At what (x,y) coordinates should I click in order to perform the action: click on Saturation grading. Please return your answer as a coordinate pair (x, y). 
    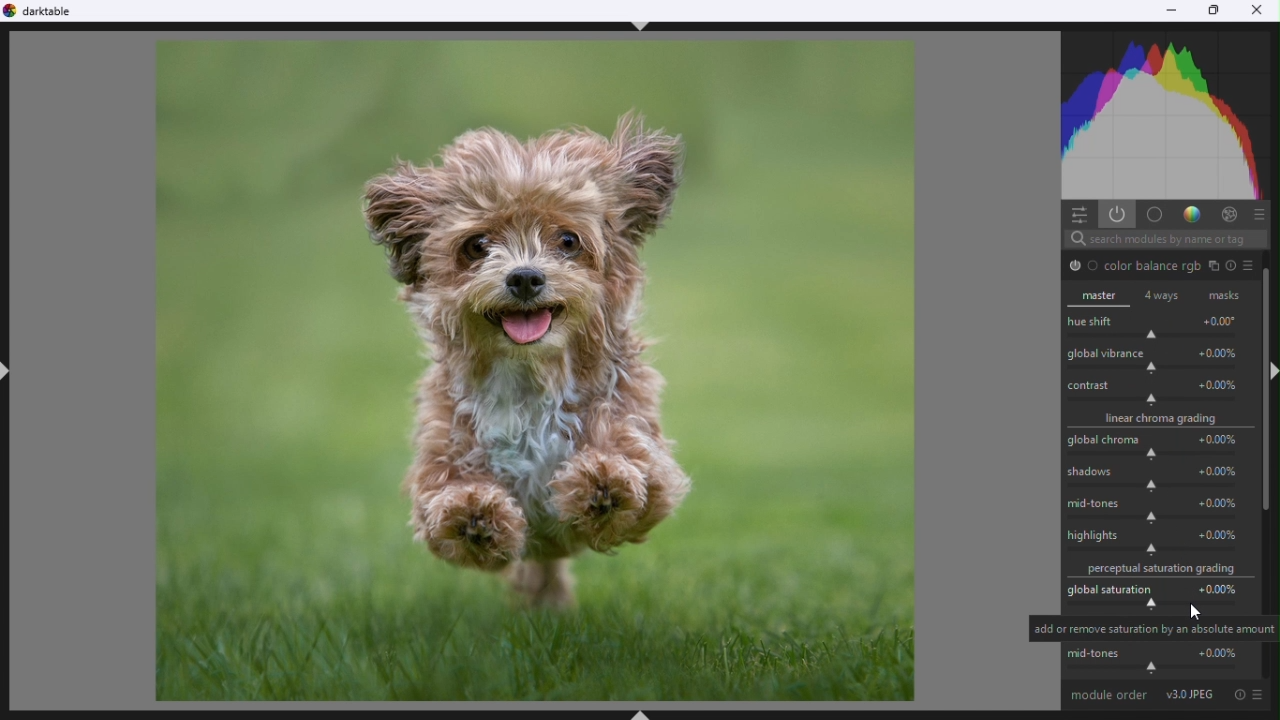
    Looking at the image, I should click on (1163, 571).